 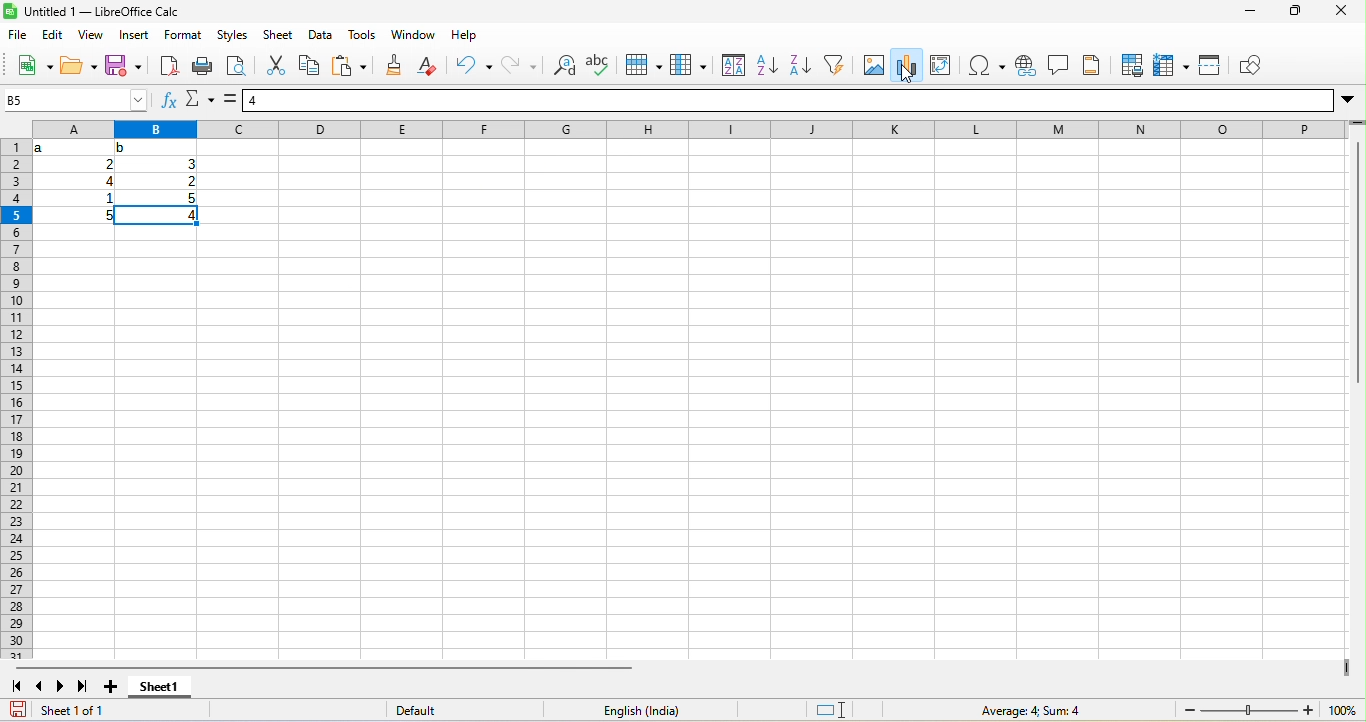 I want to click on split window, so click(x=1209, y=67).